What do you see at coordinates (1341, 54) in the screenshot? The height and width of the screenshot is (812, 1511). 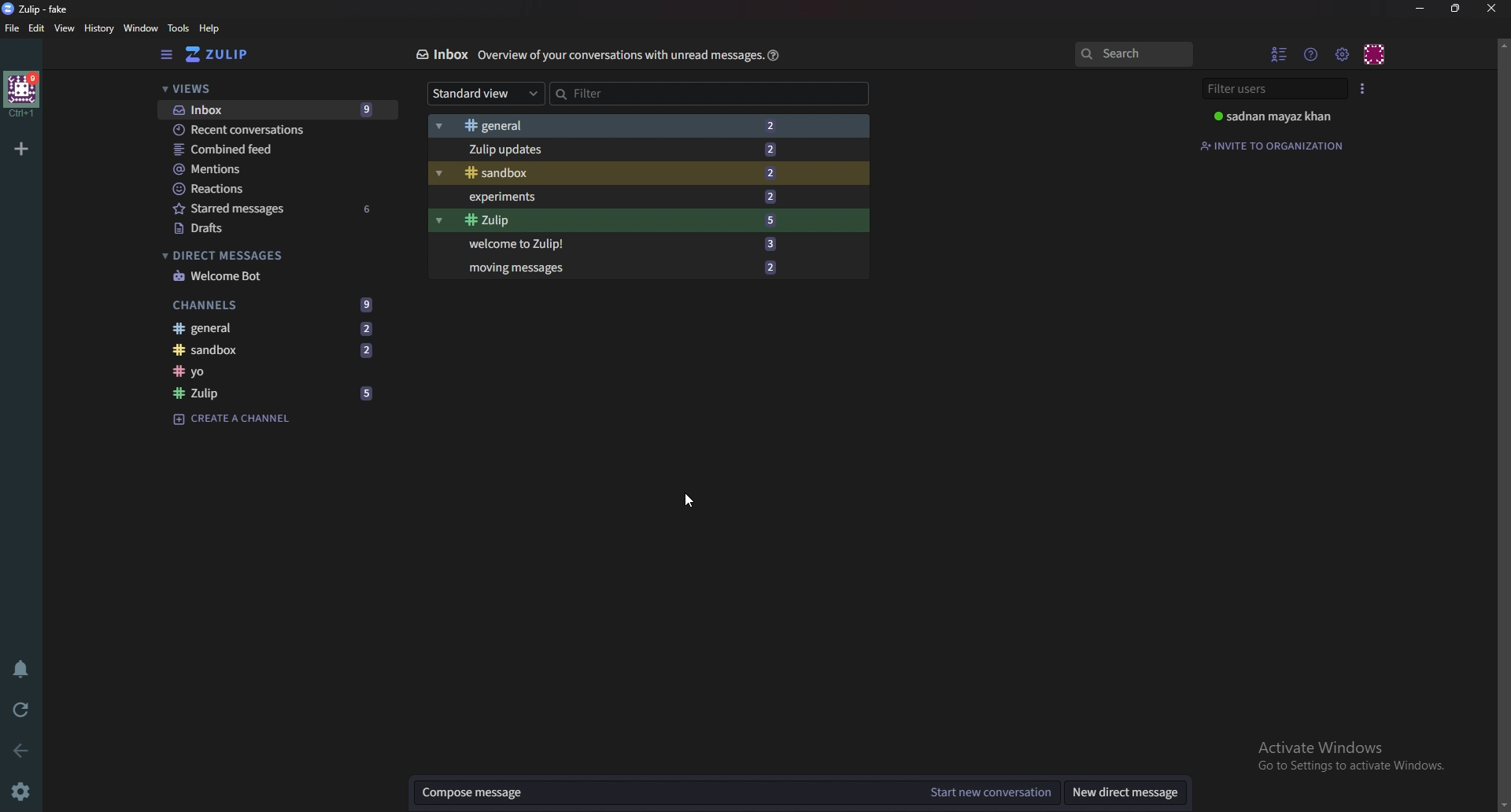 I see `settings` at bounding box center [1341, 54].